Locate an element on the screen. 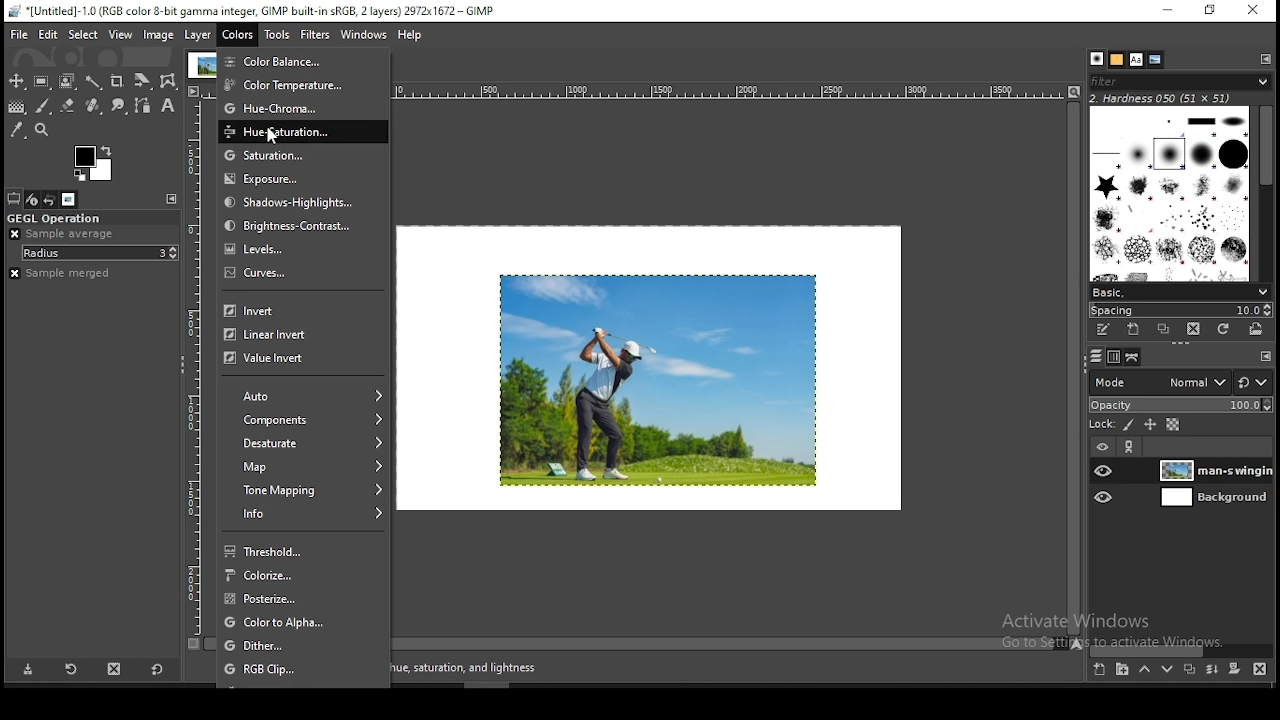 The height and width of the screenshot is (720, 1280). scroll bar is located at coordinates (1266, 193).